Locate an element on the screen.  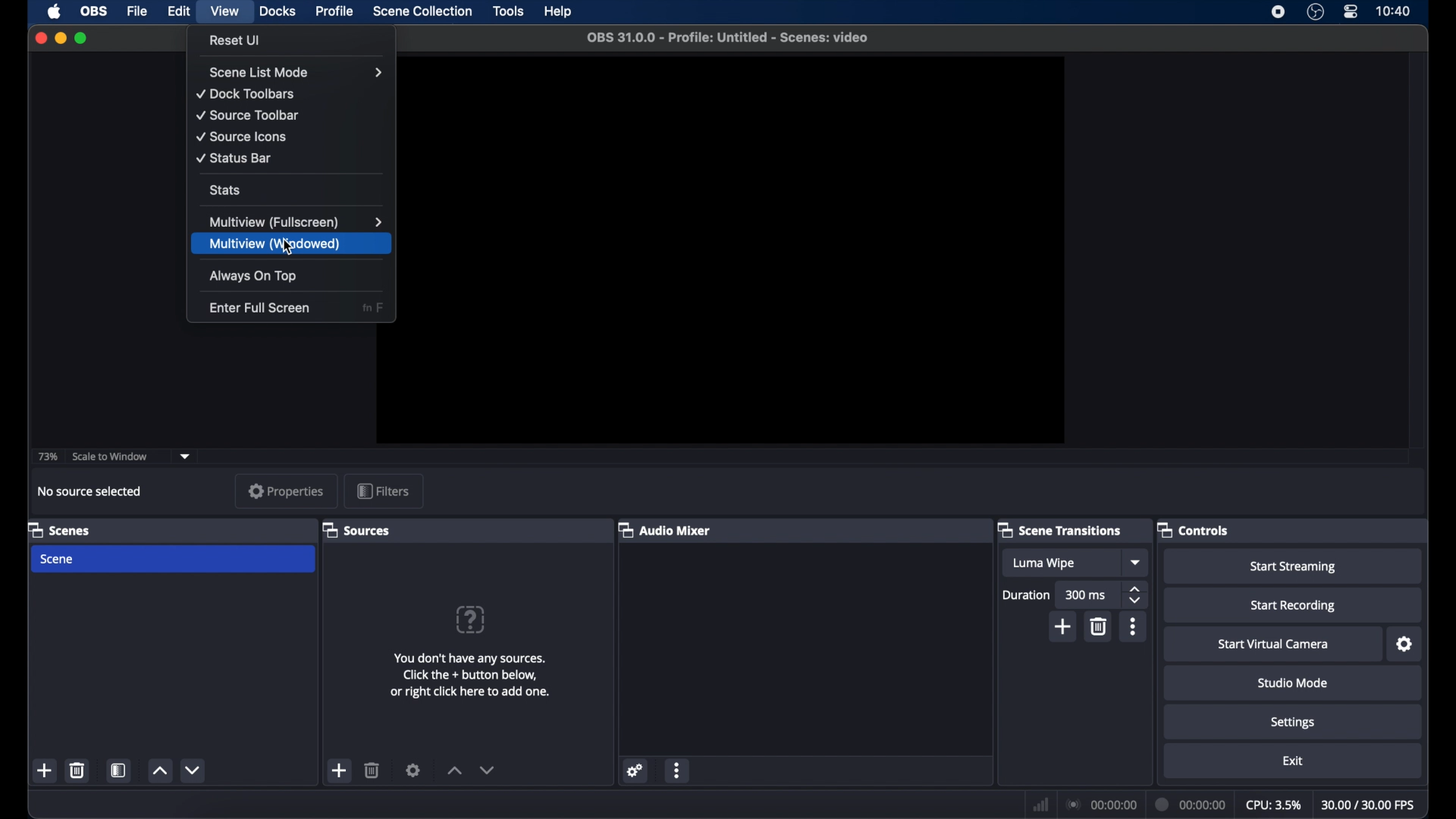
30.00/30.00 fps is located at coordinates (1369, 804).